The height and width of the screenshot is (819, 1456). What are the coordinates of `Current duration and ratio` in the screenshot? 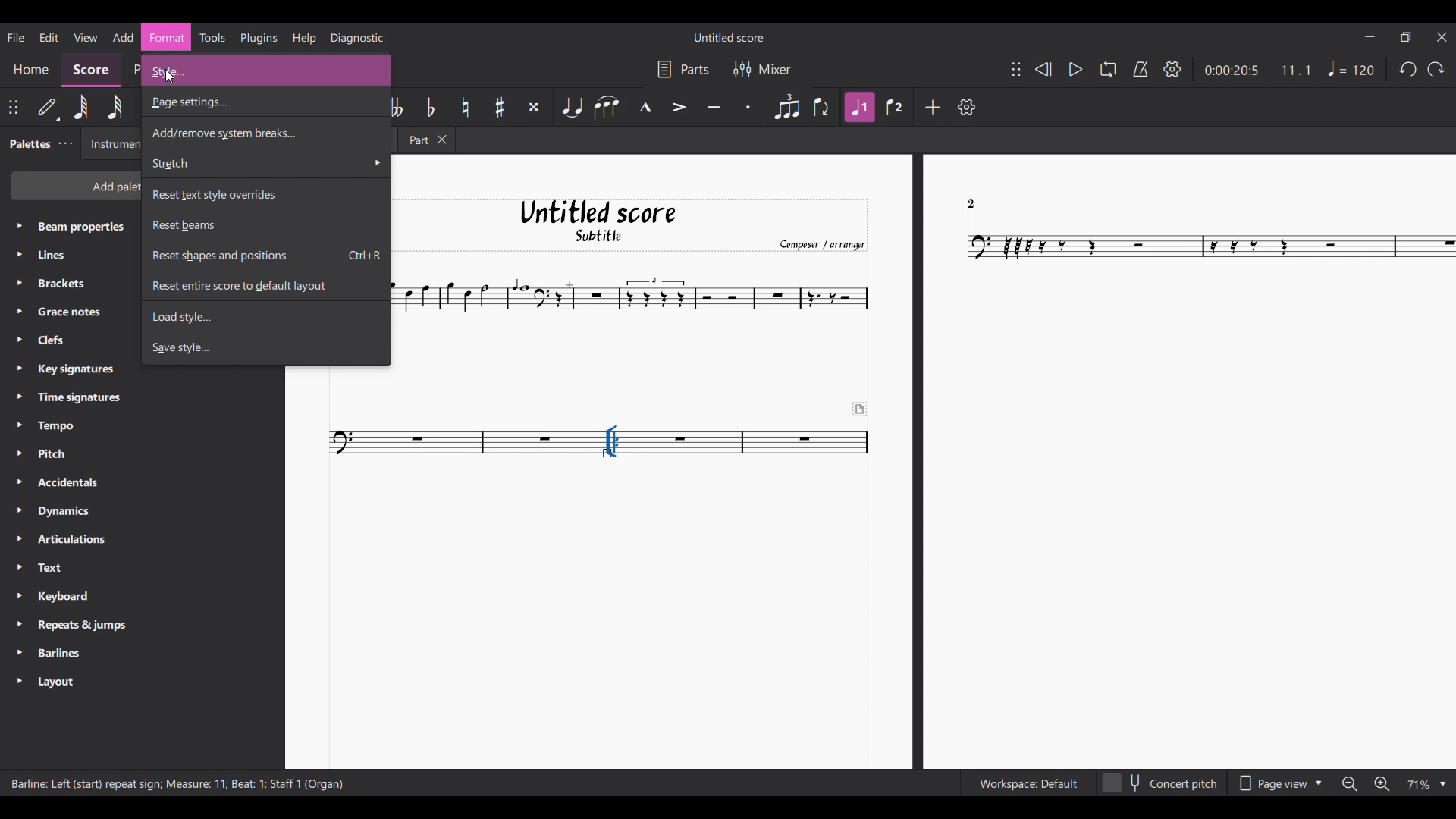 It's located at (1258, 71).